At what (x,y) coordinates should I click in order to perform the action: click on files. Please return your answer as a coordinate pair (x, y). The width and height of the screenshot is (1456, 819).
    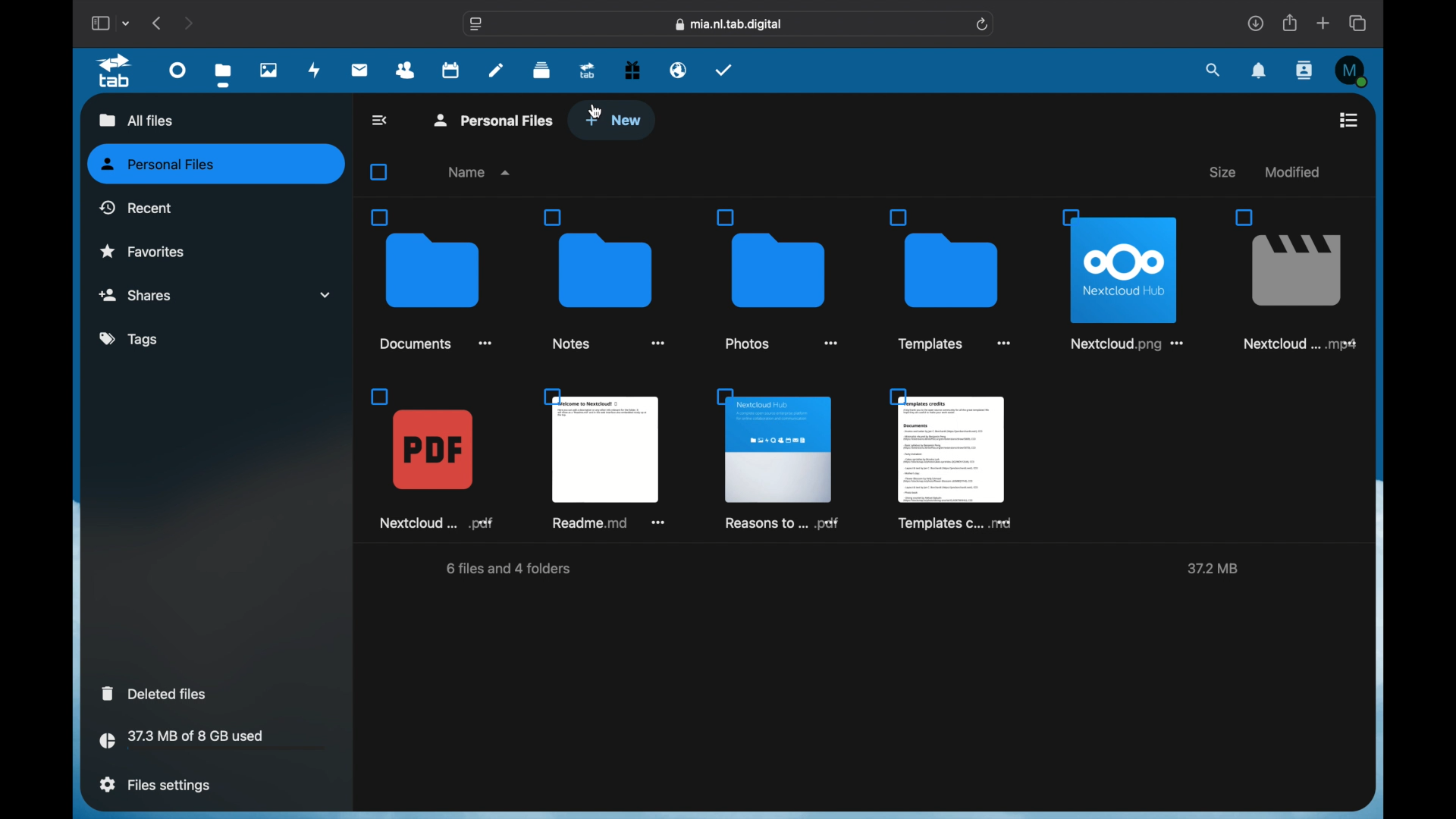
    Looking at the image, I should click on (223, 74).